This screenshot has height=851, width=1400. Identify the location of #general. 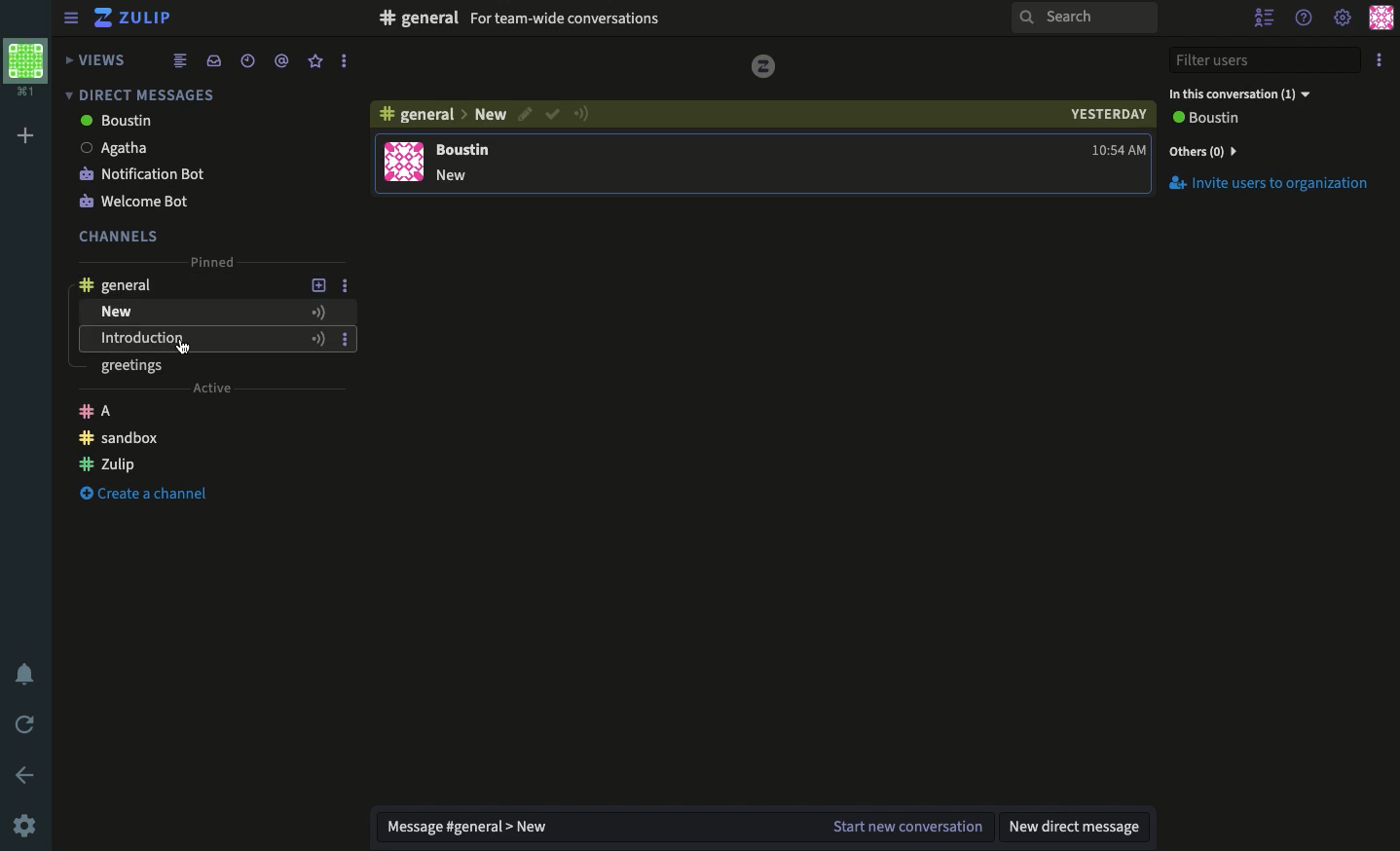
(414, 114).